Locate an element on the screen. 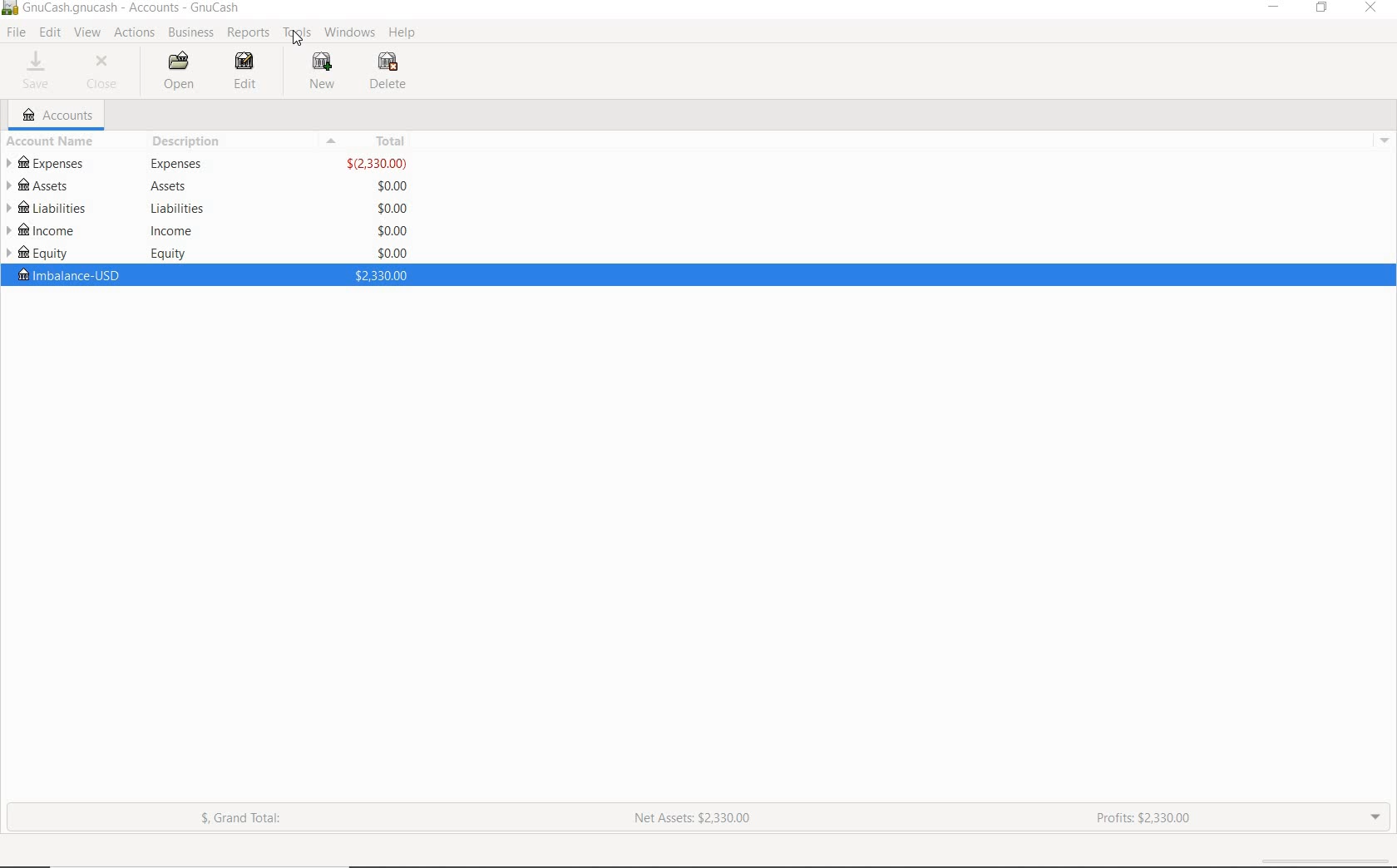 This screenshot has width=1397, height=868. RESTORE DOWN is located at coordinates (1322, 7).